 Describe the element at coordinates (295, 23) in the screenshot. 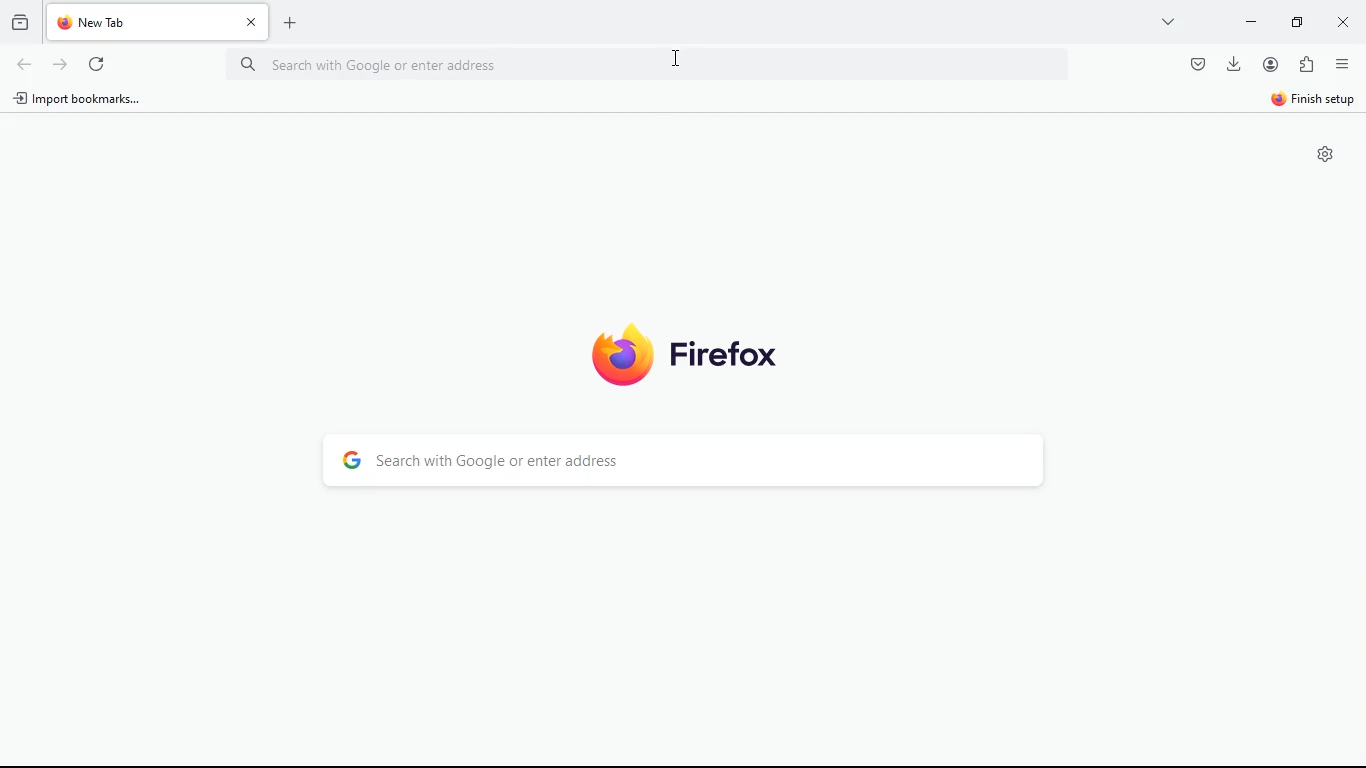

I see `add new tab` at that location.